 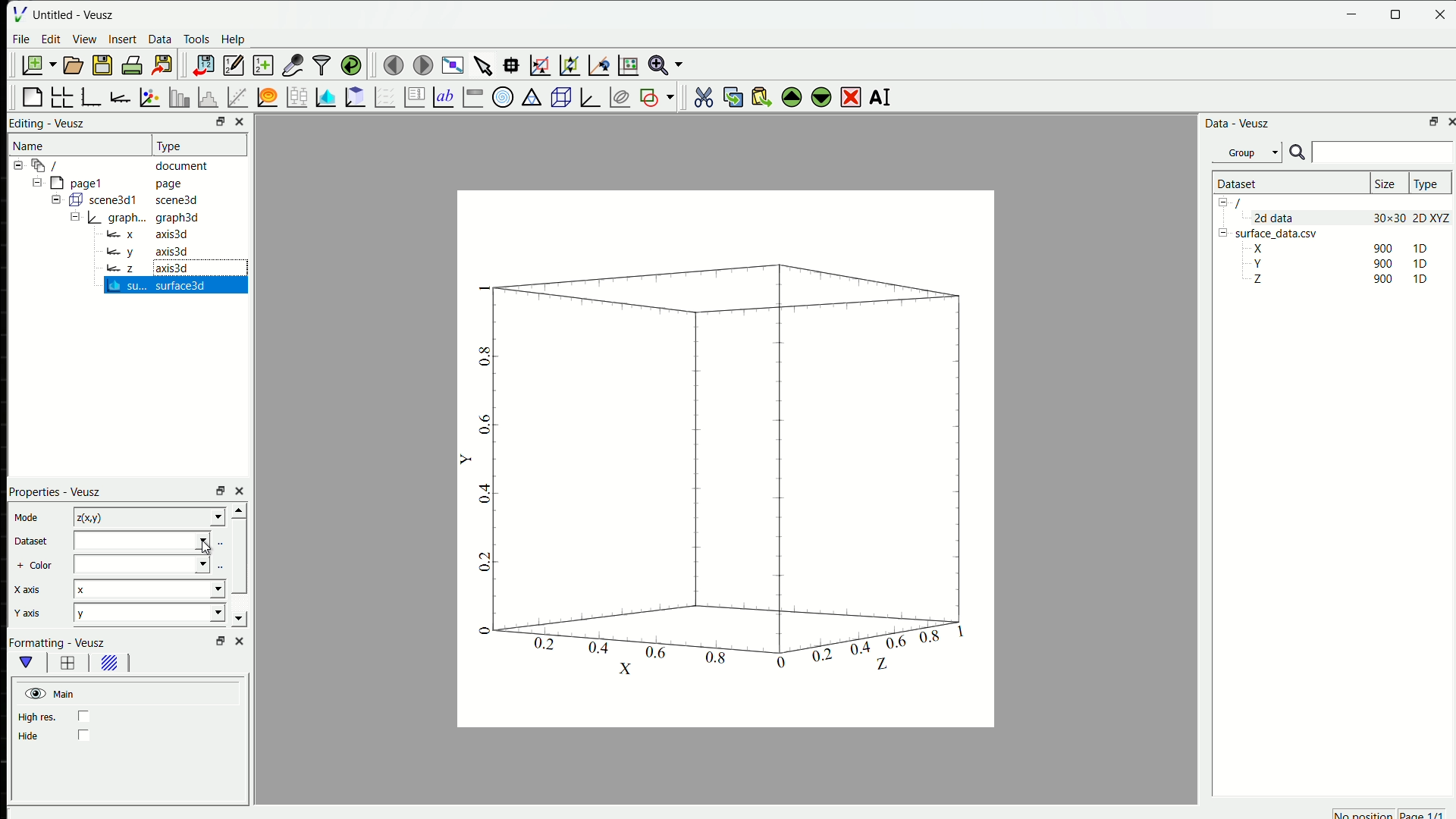 I want to click on Type, so click(x=168, y=146).